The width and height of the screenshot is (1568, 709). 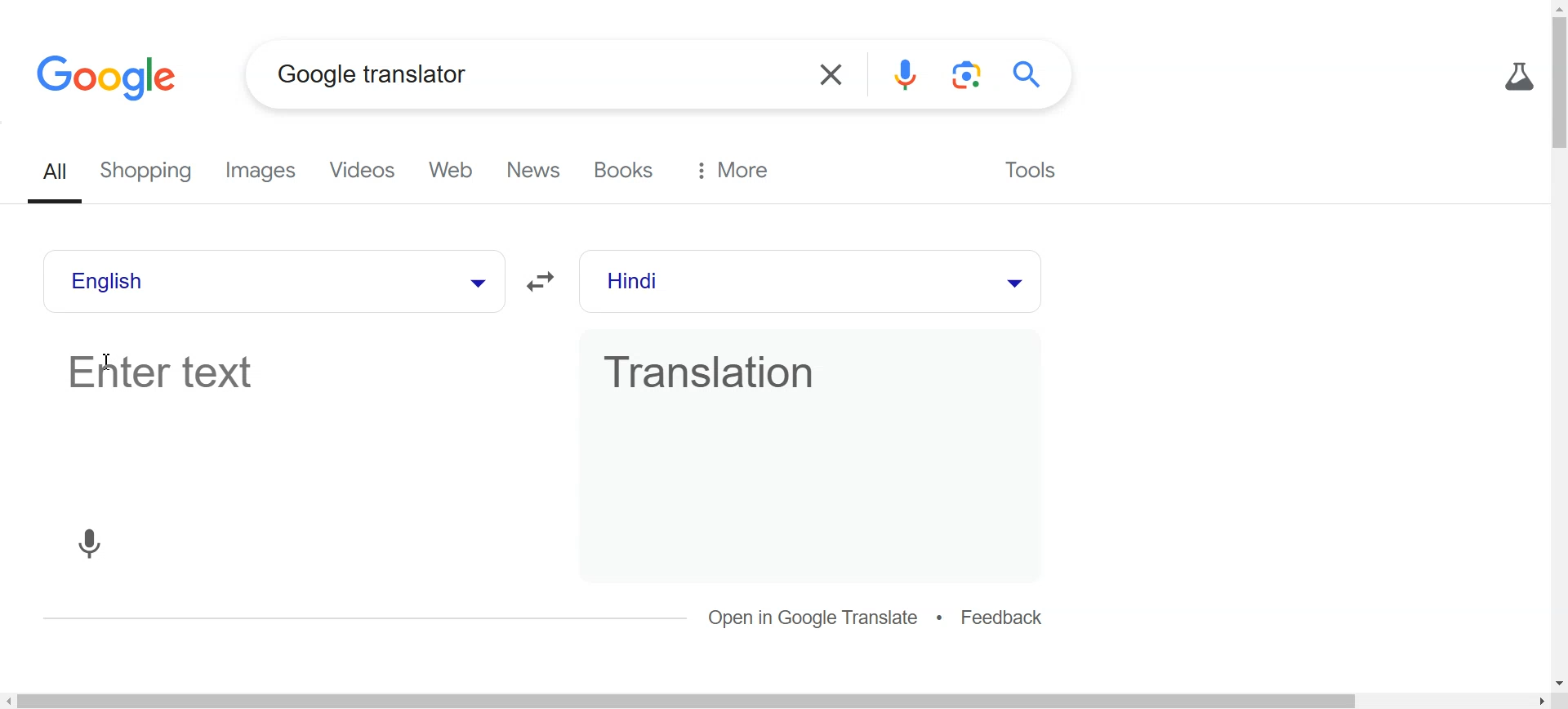 I want to click on Drop down box, so click(x=1012, y=281).